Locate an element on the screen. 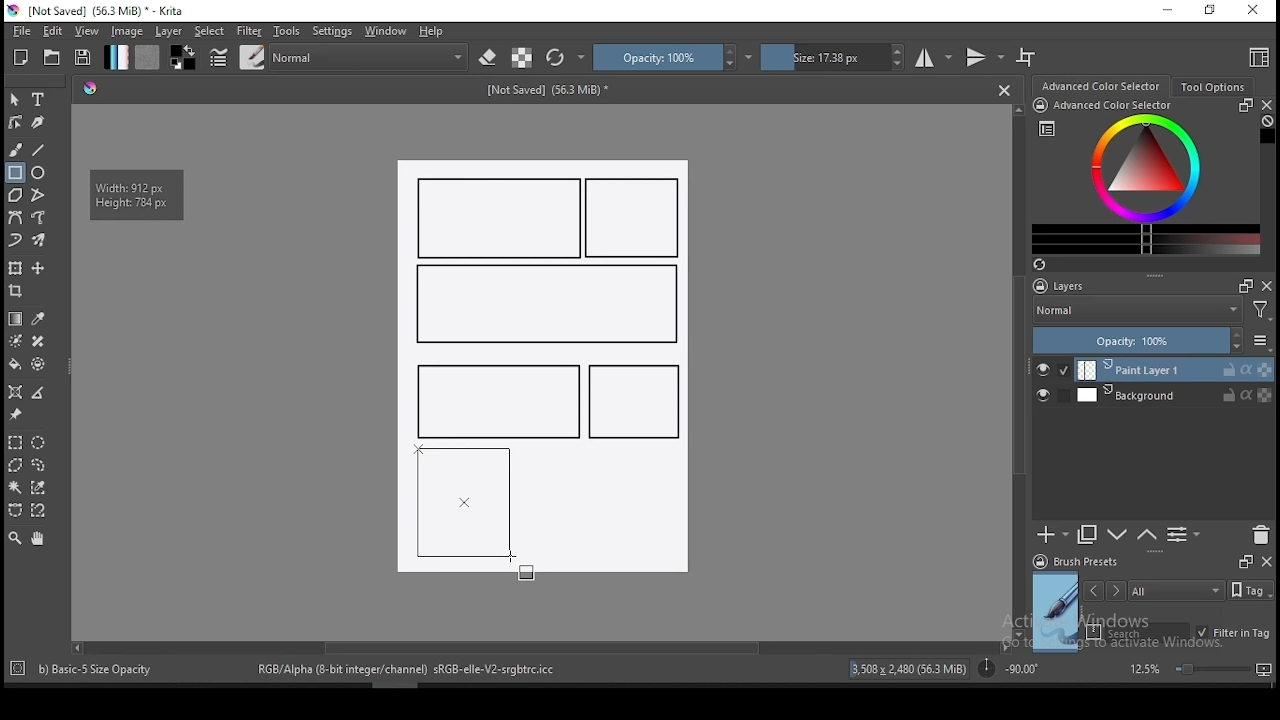 This screenshot has height=720, width=1280. scroll bar is located at coordinates (1020, 370).